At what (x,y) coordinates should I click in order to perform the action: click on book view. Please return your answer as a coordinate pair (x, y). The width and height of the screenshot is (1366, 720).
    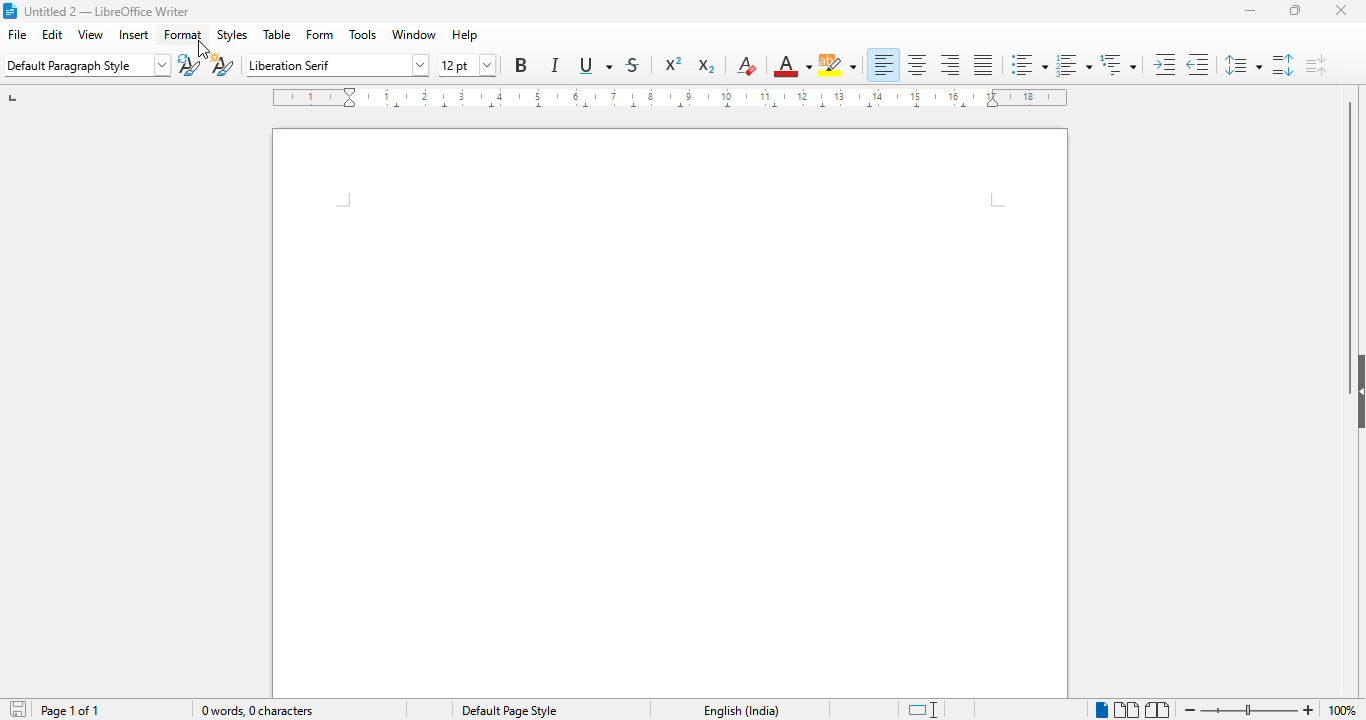
    Looking at the image, I should click on (1159, 709).